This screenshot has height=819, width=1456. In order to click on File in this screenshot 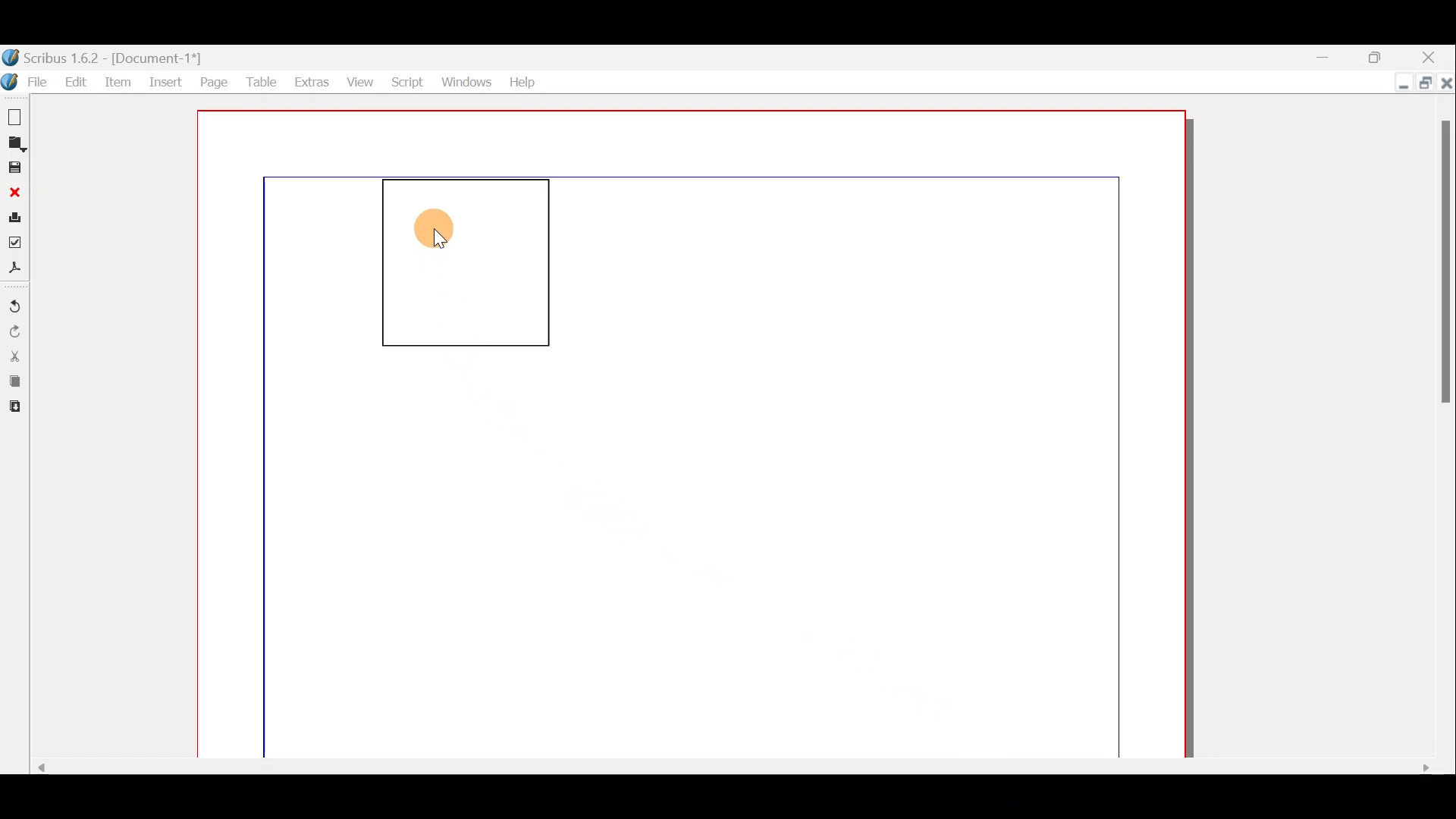, I will do `click(28, 81)`.